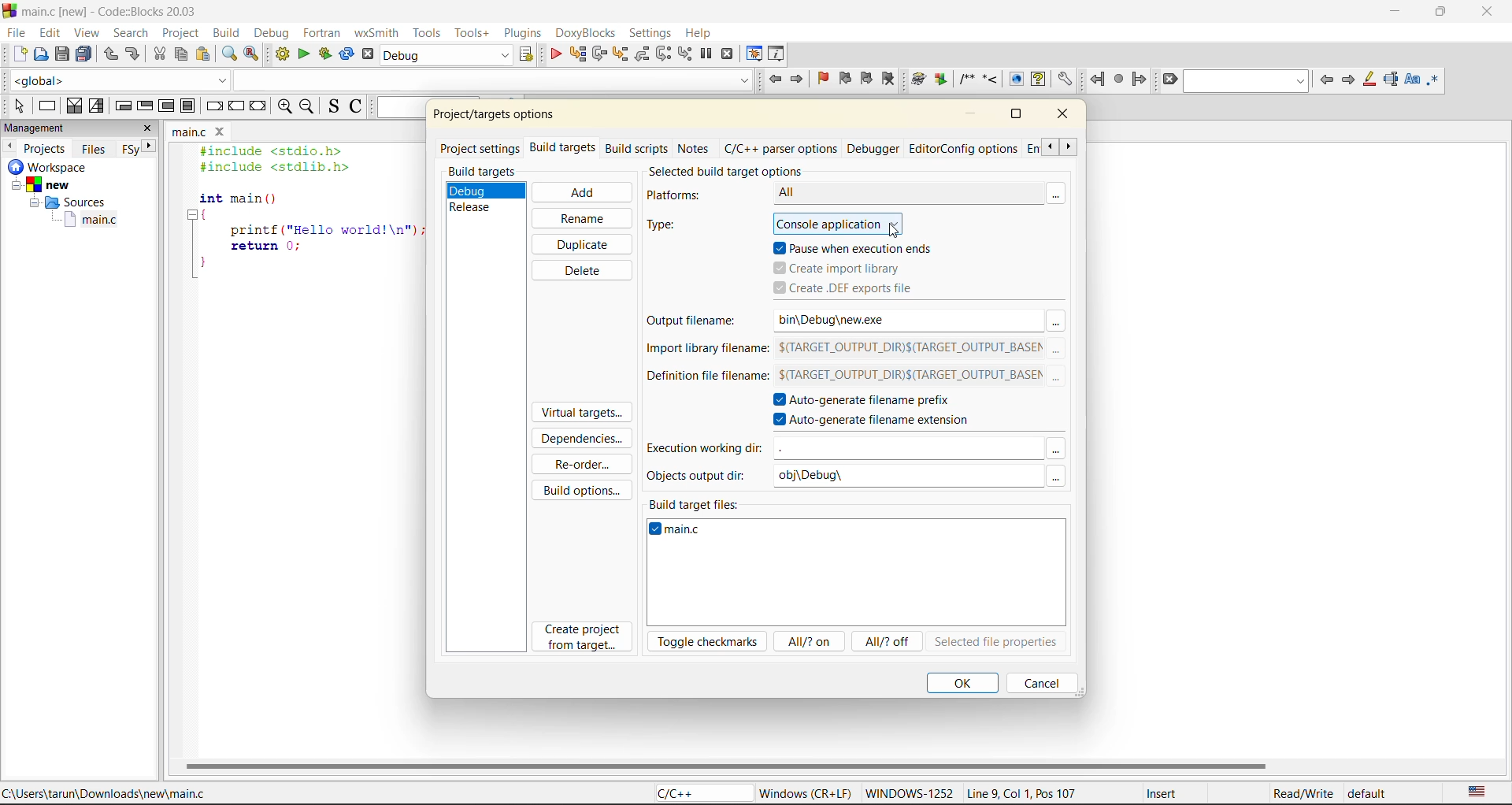  What do you see at coordinates (122, 107) in the screenshot?
I see `entry condition loop` at bounding box center [122, 107].